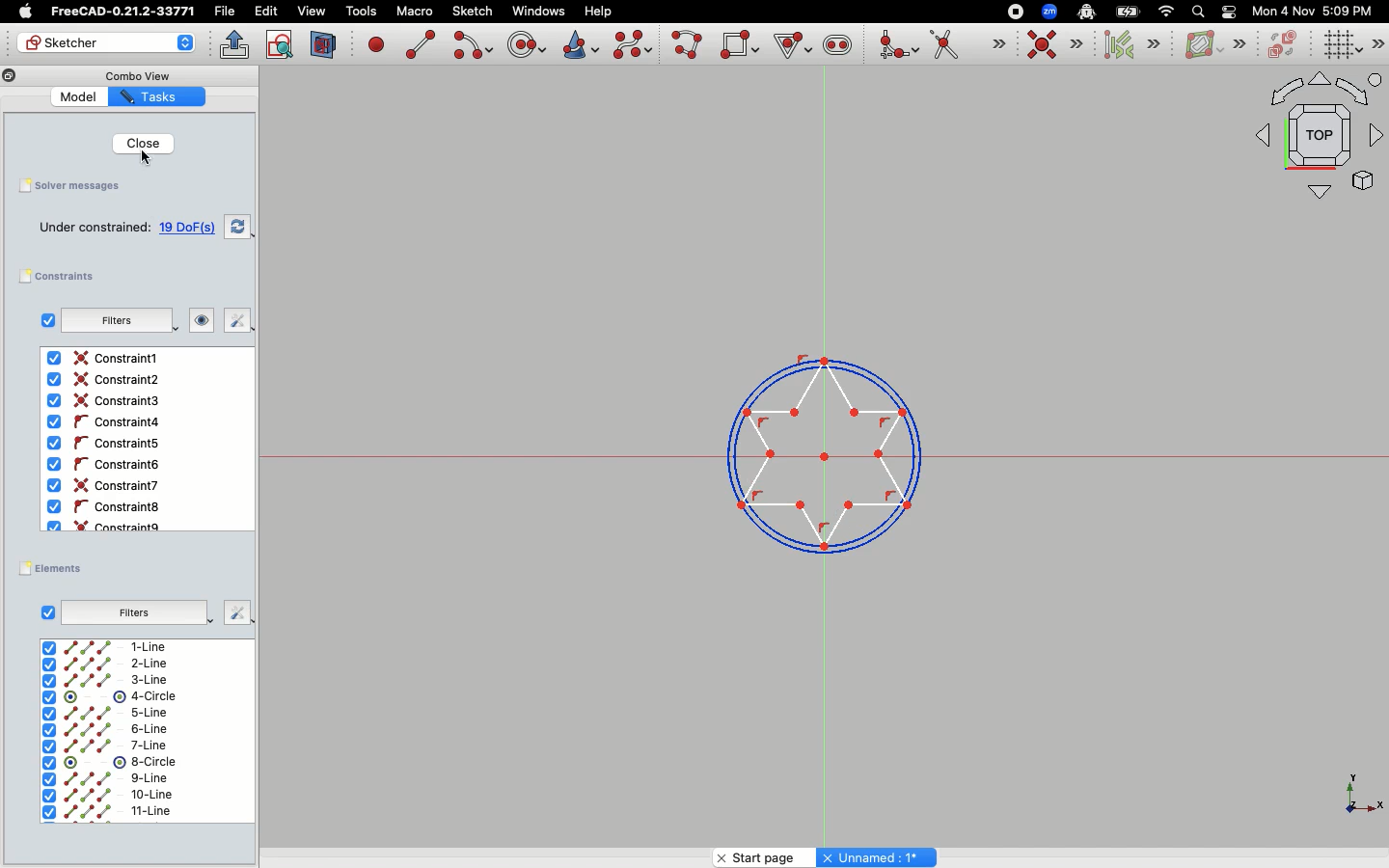  Describe the element at coordinates (107, 401) in the screenshot. I see `Contraint3` at that location.